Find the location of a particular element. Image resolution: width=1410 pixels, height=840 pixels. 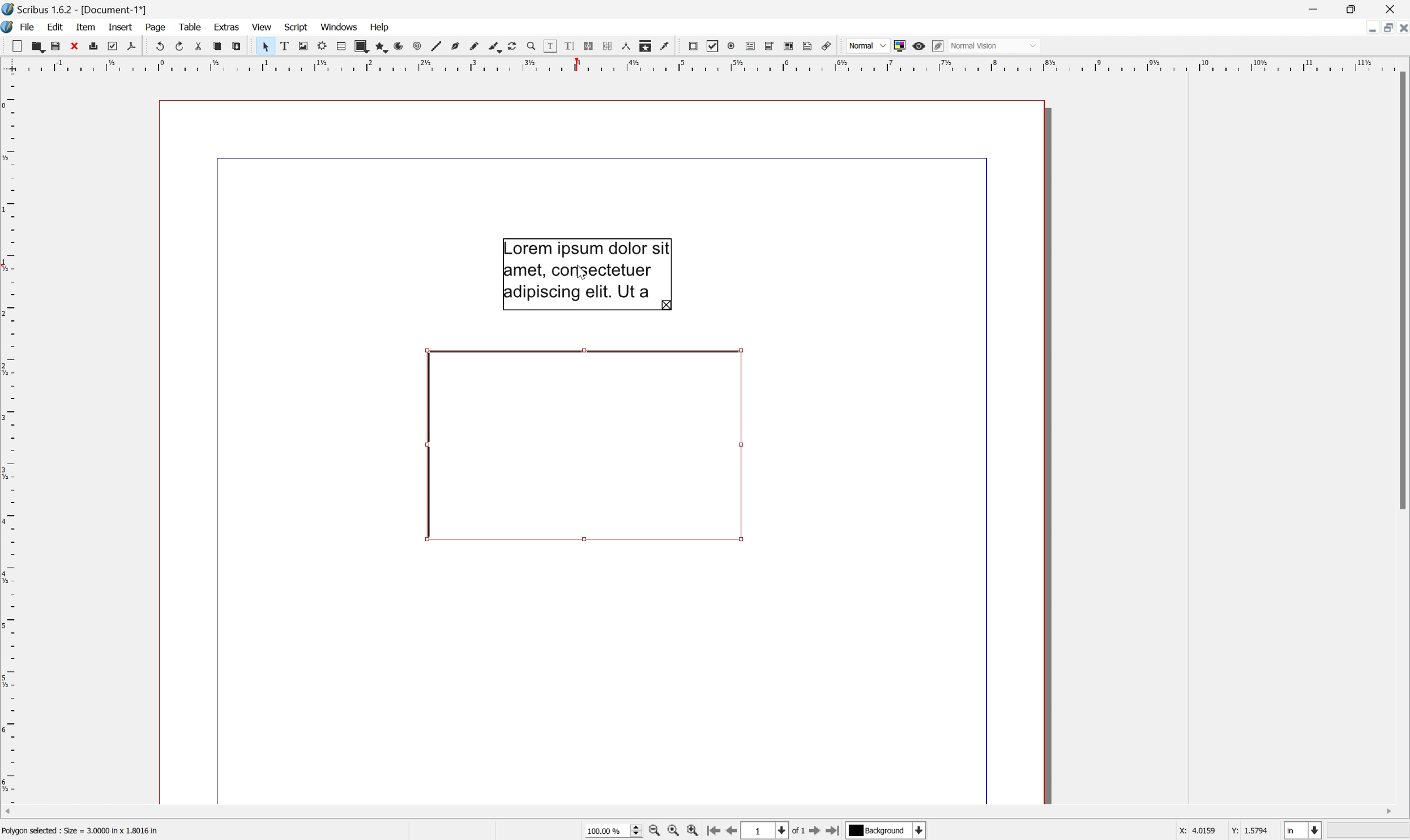

Minimize is located at coordinates (1310, 8).